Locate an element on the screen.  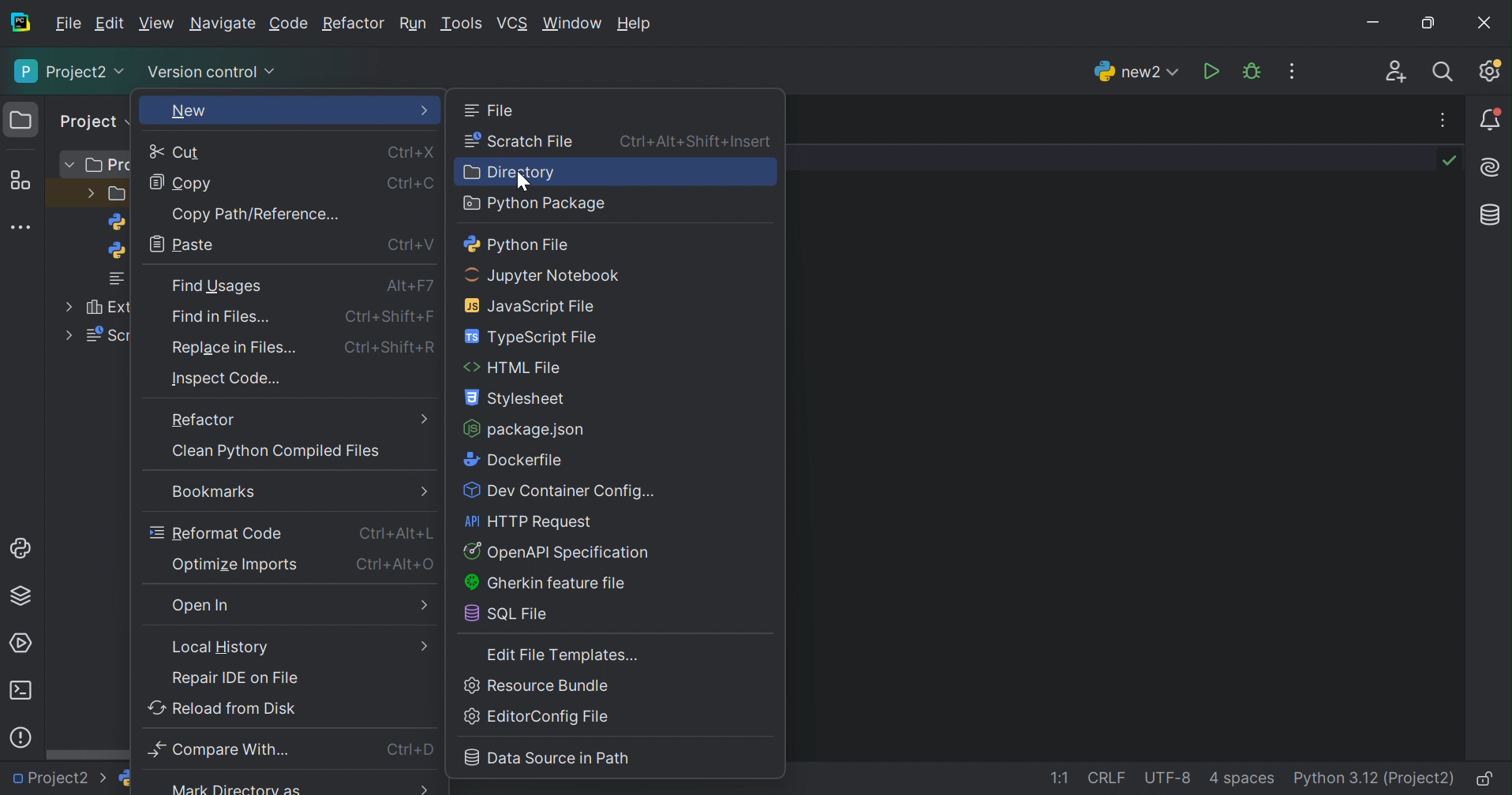
Repair IDE on File is located at coordinates (237, 678).